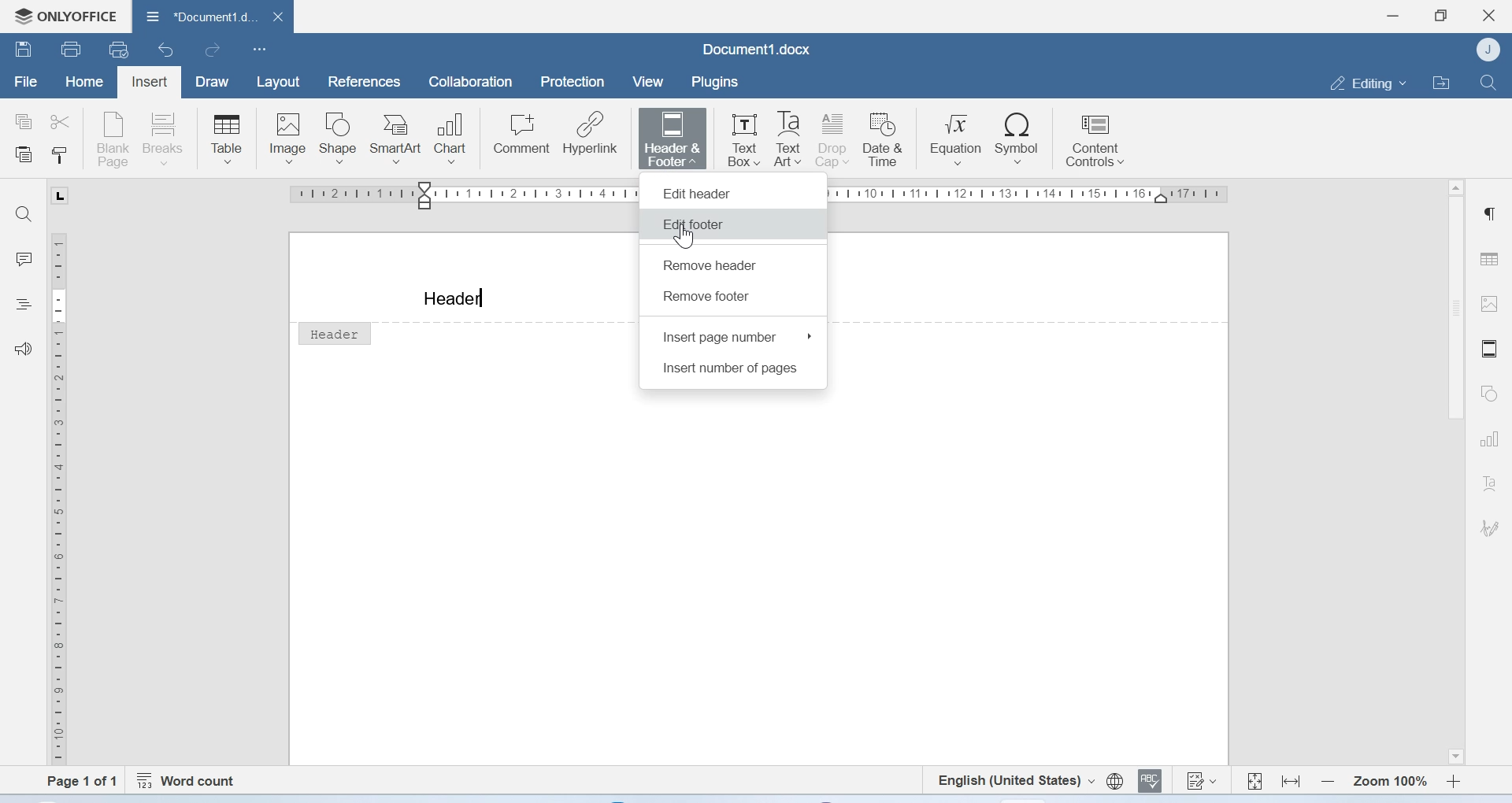  I want to click on Headings, so click(26, 303).